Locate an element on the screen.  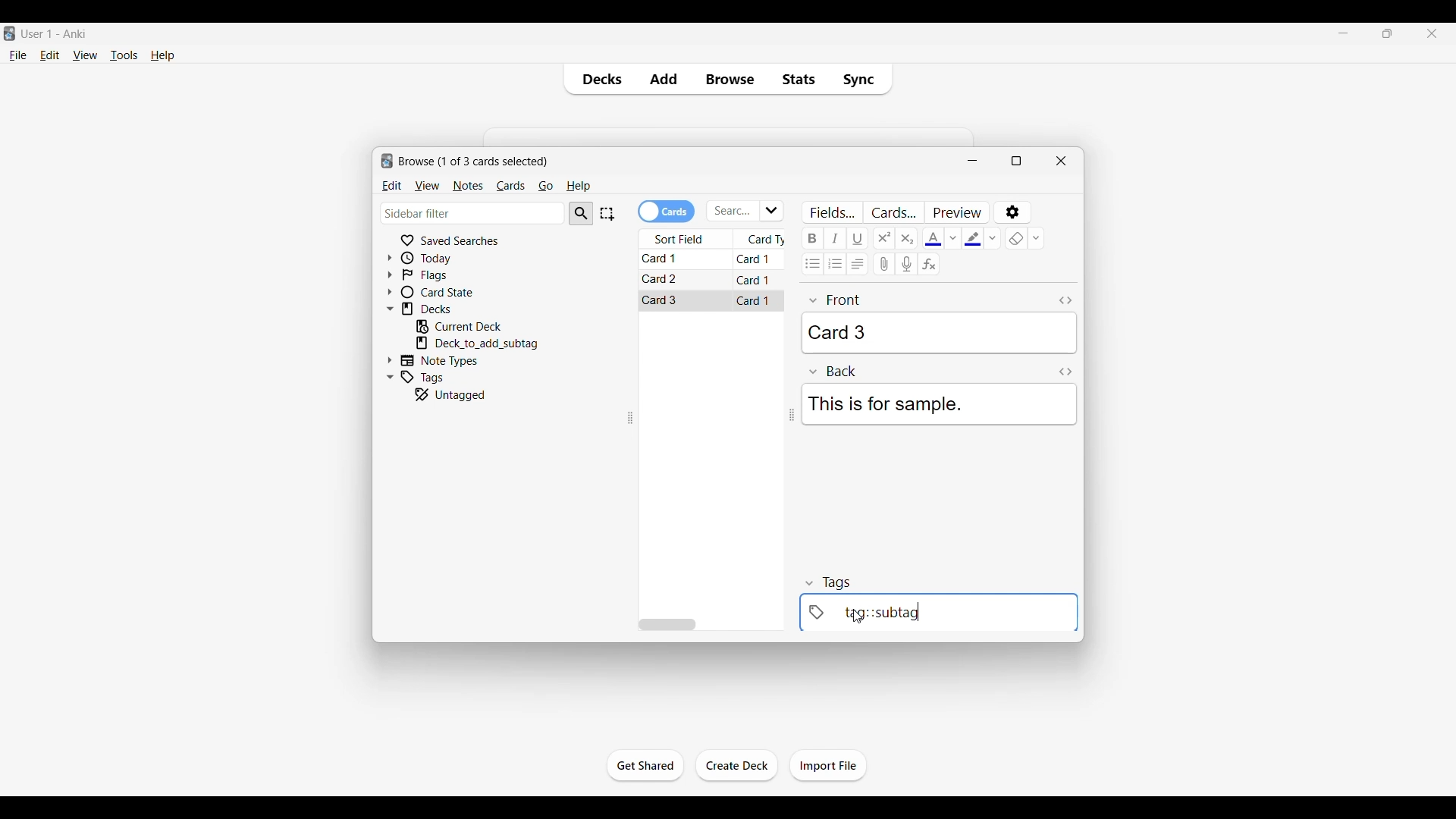
tag::subtag is located at coordinates (939, 613).